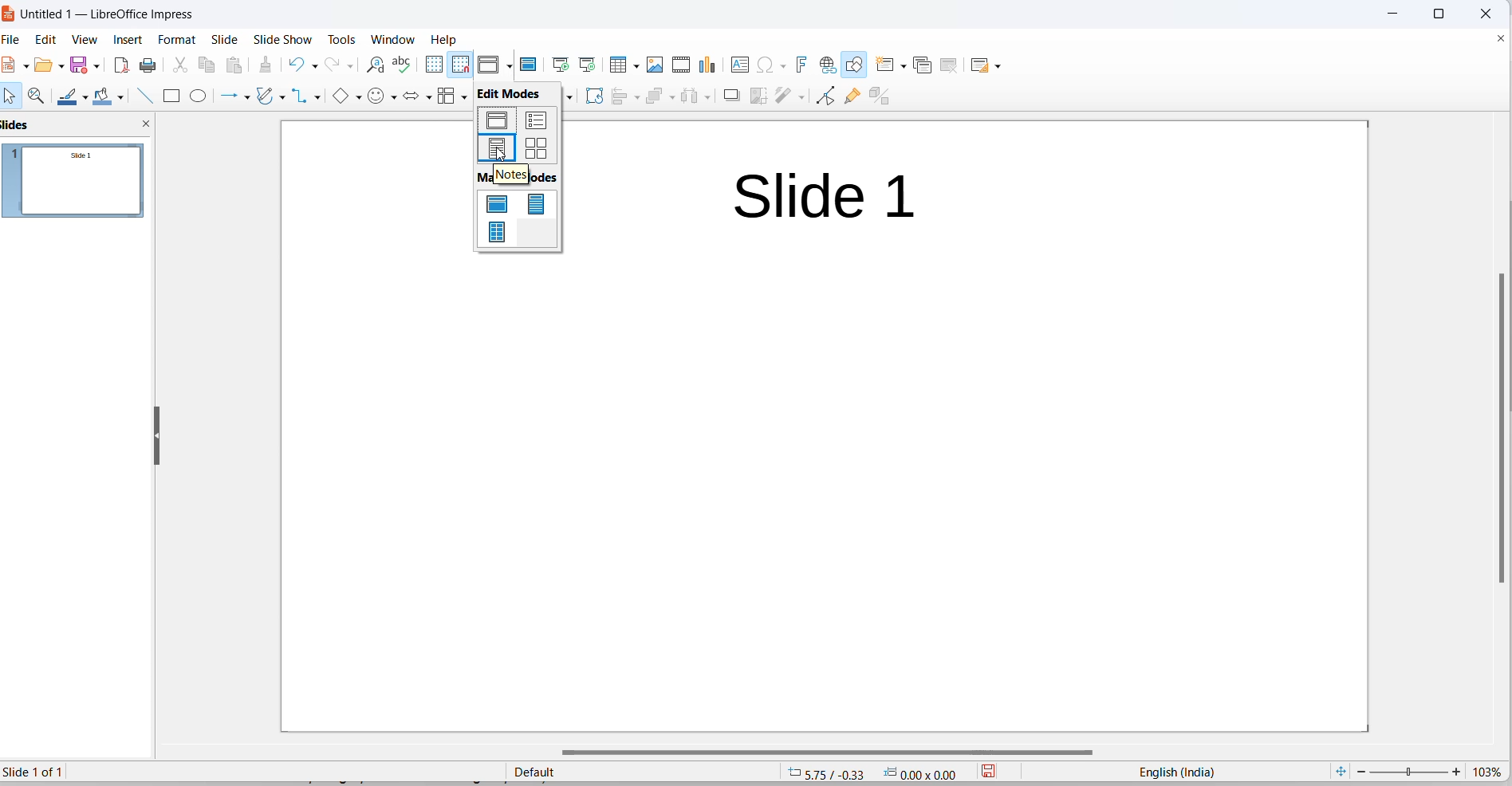 The width and height of the screenshot is (1512, 786). I want to click on symbol shapes options, so click(395, 99).